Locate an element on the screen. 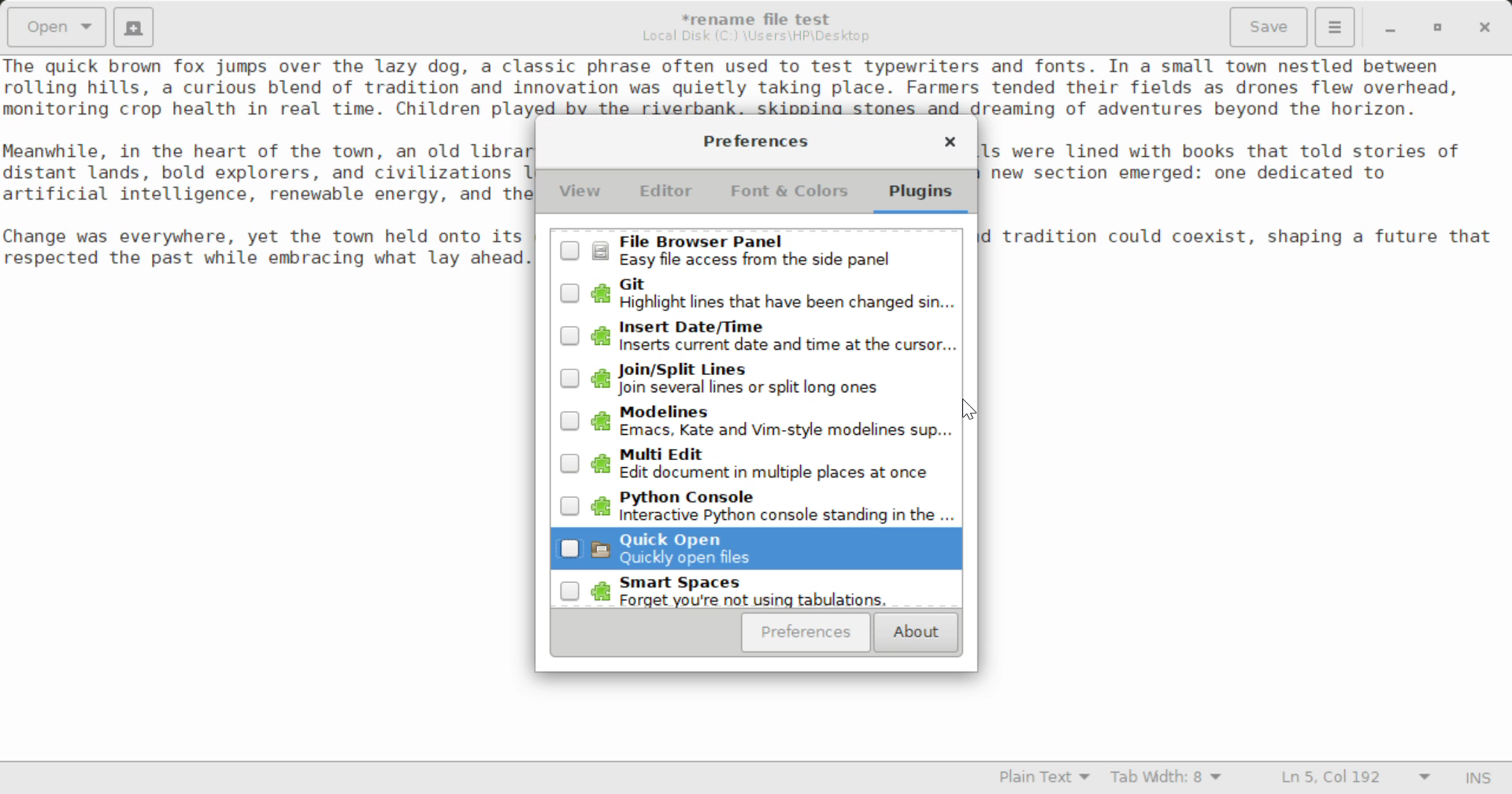 Image resolution: width=1512 pixels, height=794 pixels. Preferences Setting Window Heading is located at coordinates (755, 141).